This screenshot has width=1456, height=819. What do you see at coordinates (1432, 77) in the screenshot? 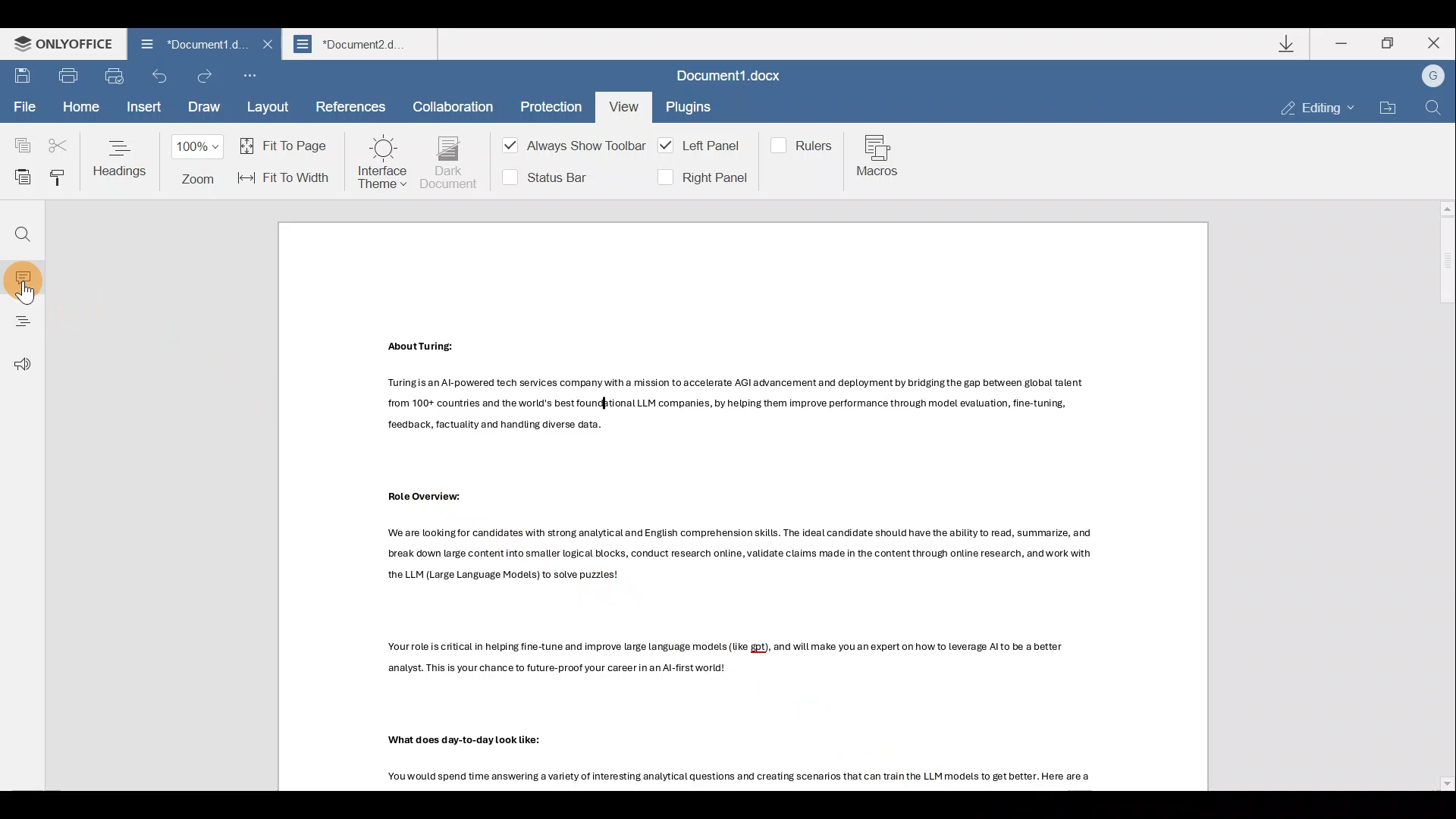
I see `Account name` at bounding box center [1432, 77].